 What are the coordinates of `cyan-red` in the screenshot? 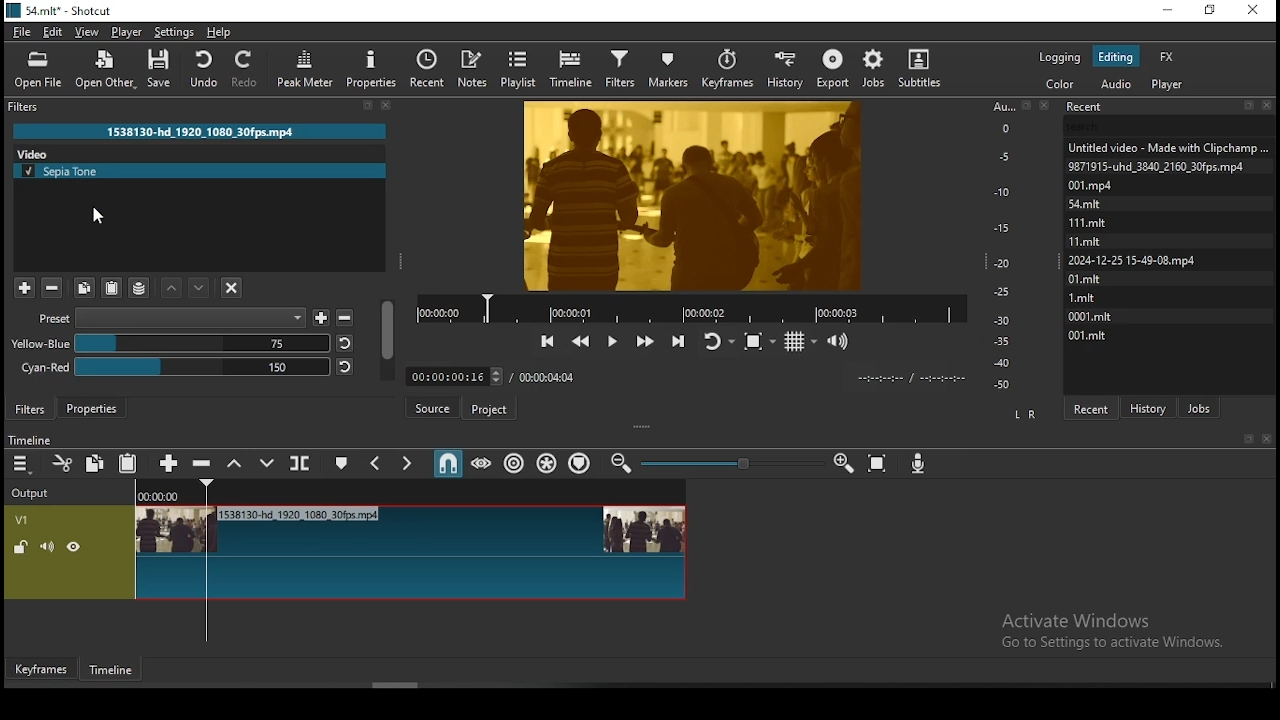 It's located at (175, 367).